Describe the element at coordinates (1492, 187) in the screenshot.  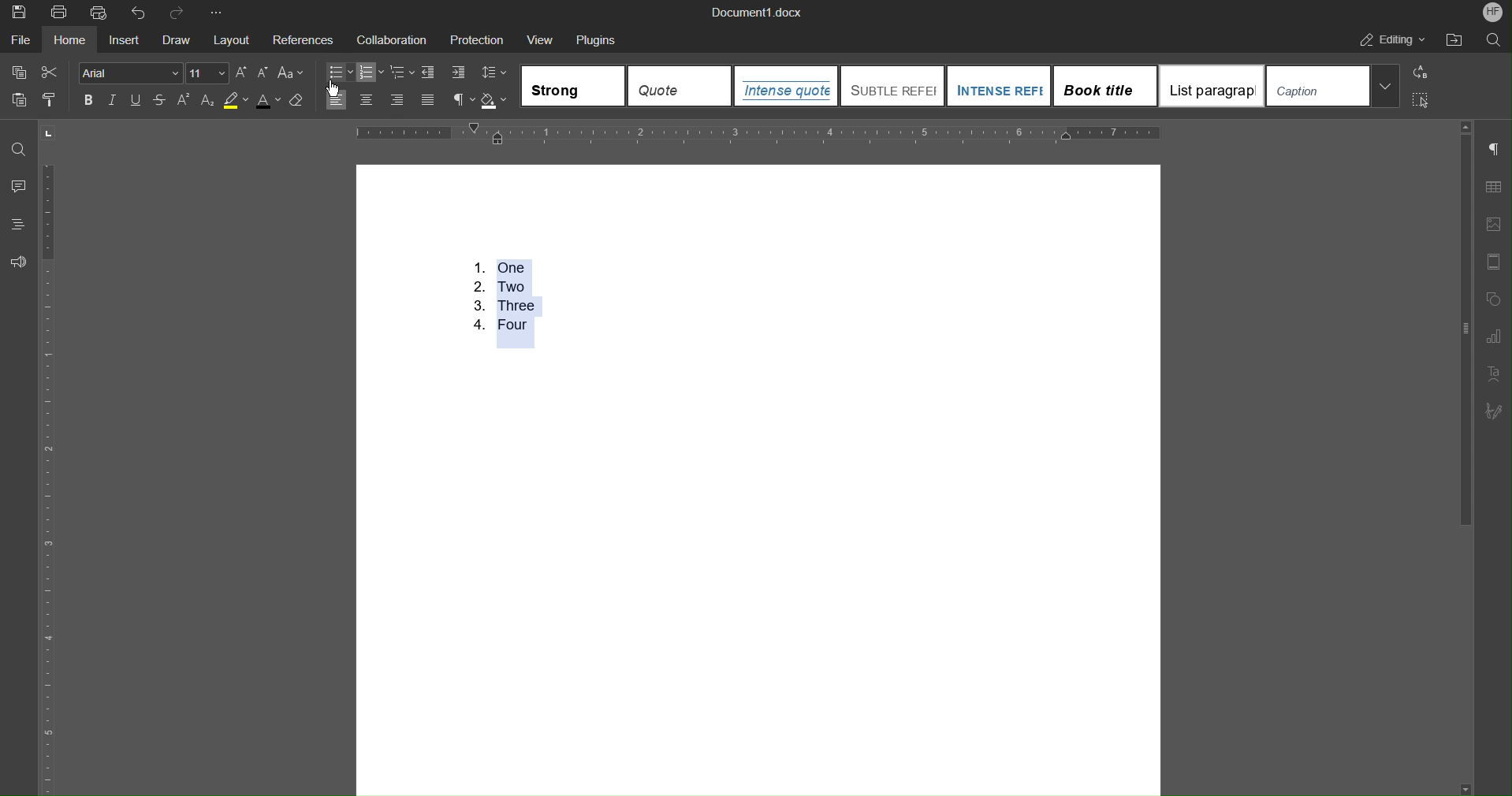
I see `Table` at that location.